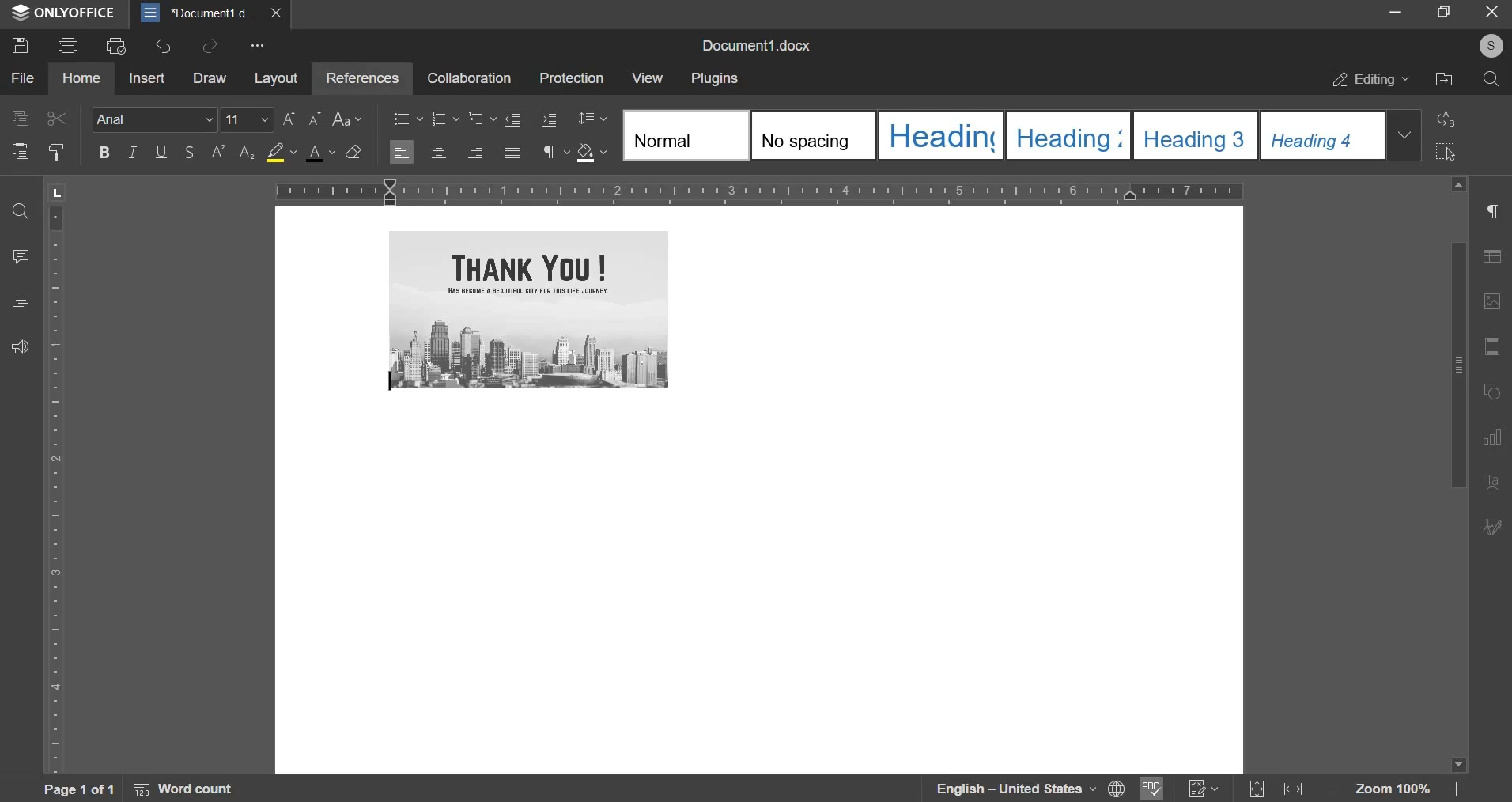 Image resolution: width=1512 pixels, height=802 pixels. What do you see at coordinates (645, 78) in the screenshot?
I see `view` at bounding box center [645, 78].